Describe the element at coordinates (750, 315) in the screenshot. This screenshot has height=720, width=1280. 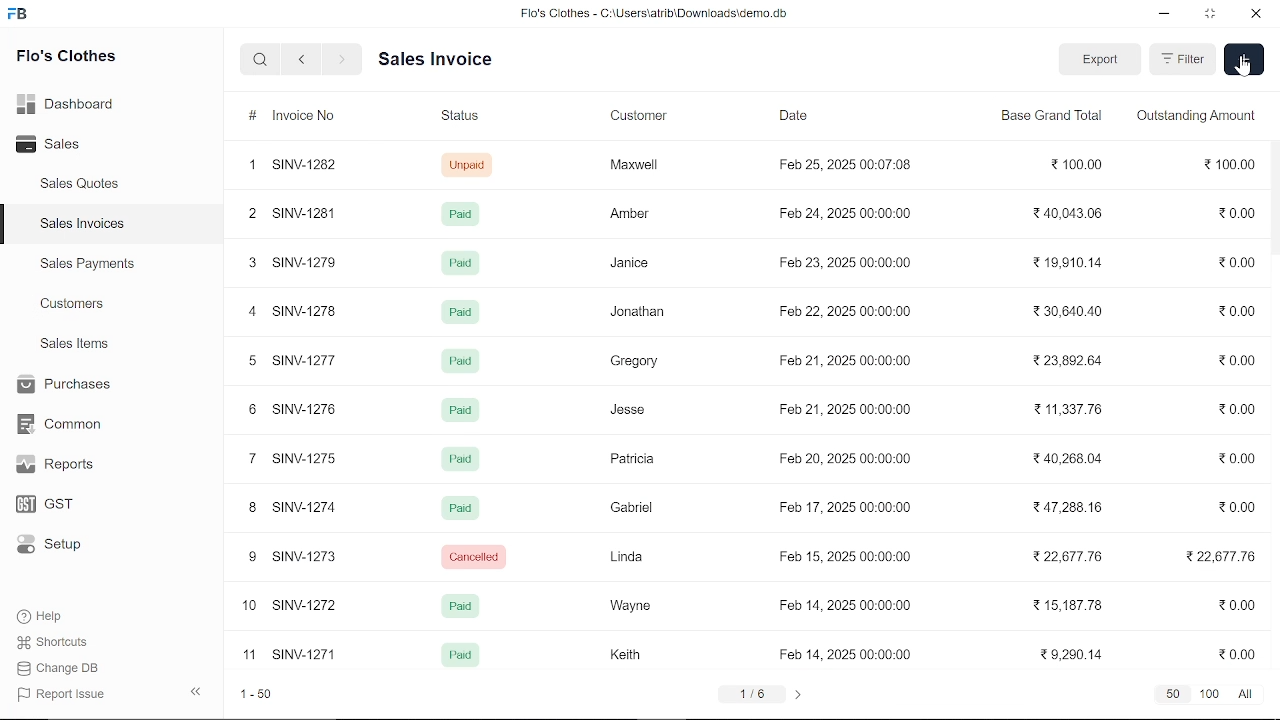
I see `4 SINV-1278 Paid Jonathan Feb 22, 2025 00:00:00 230,640.40 20.00` at that location.